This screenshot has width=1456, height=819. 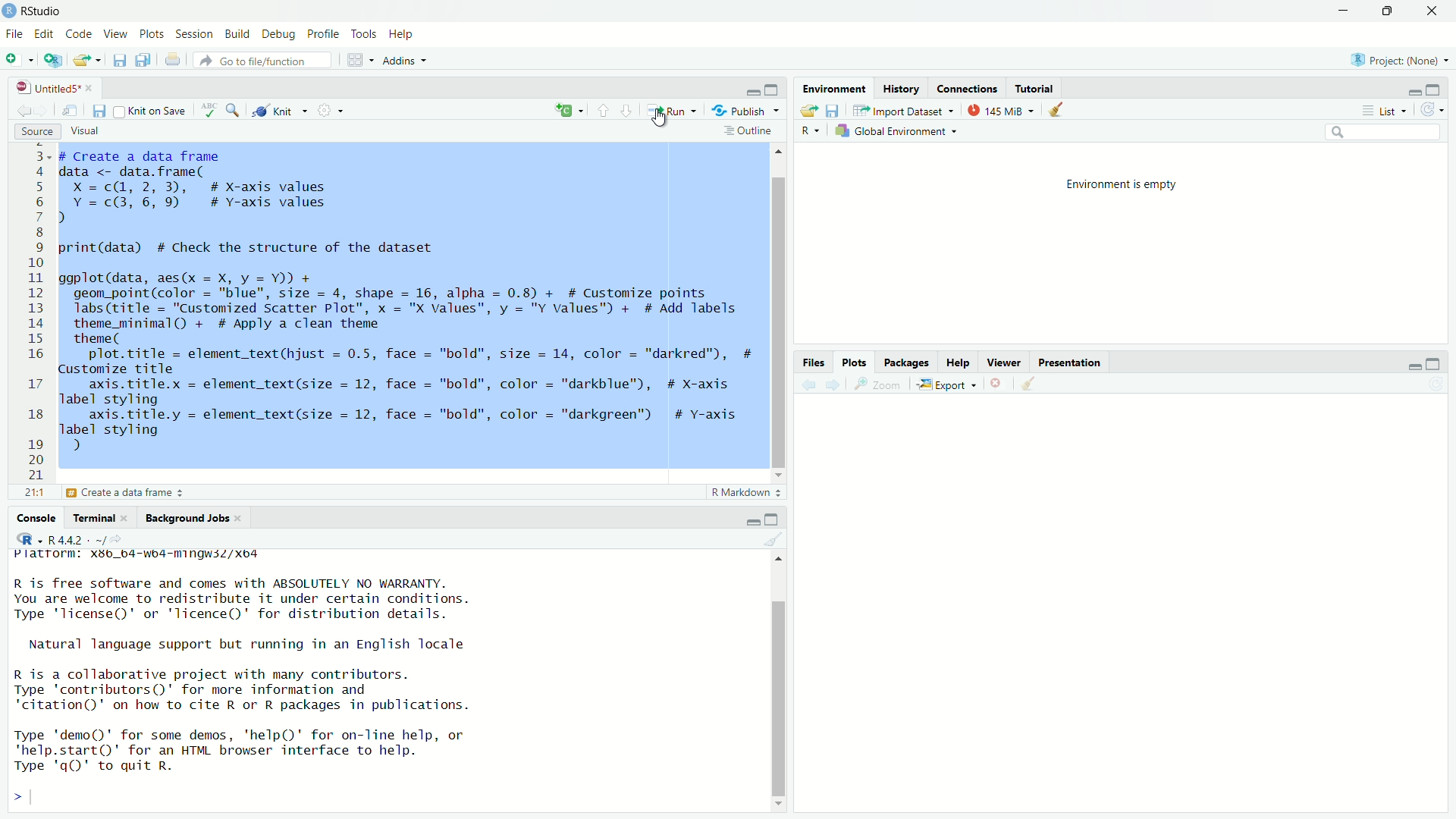 What do you see at coordinates (570, 112) in the screenshot?
I see `Copy File` at bounding box center [570, 112].